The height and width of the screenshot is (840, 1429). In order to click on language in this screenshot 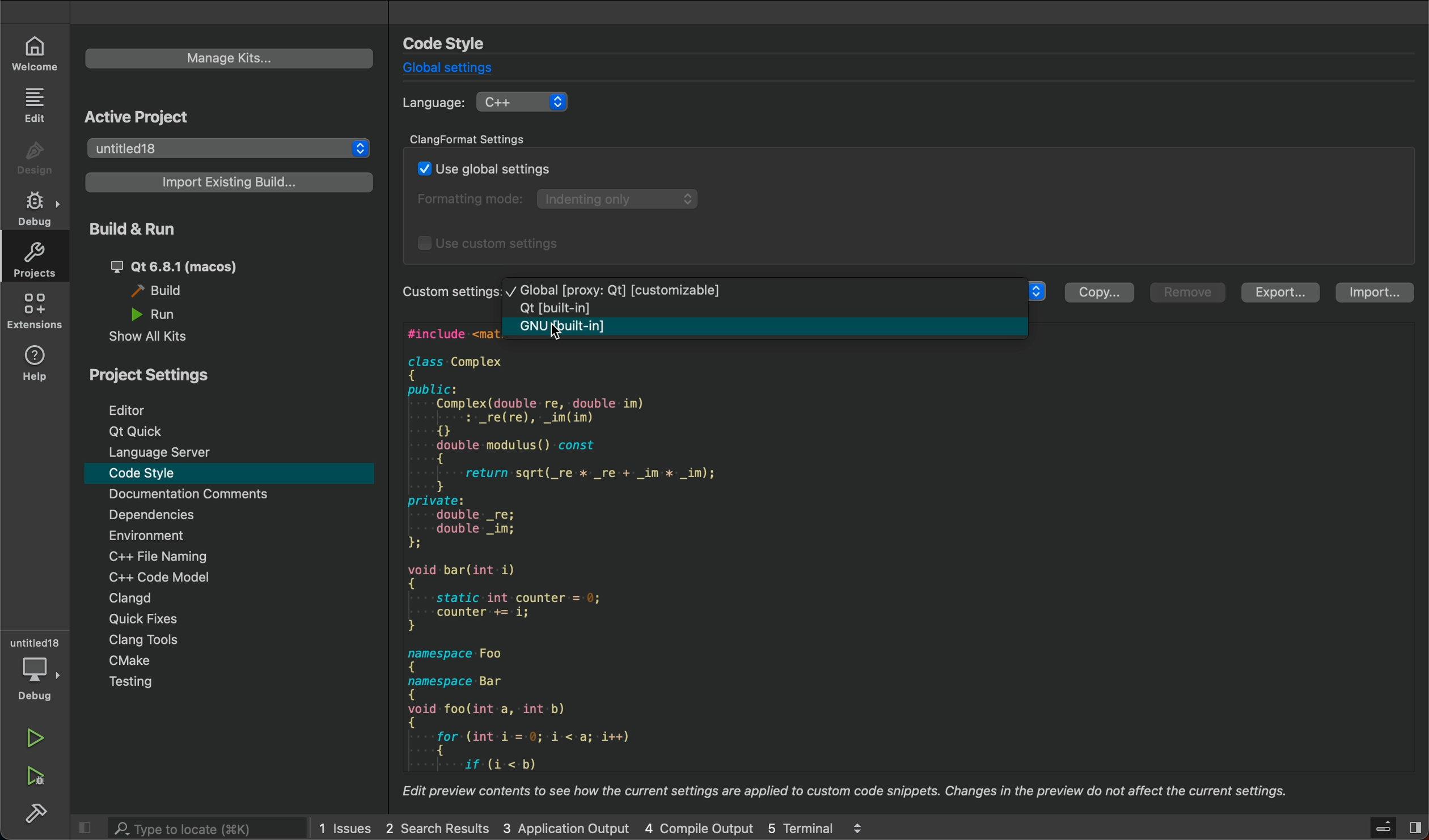, I will do `click(433, 103)`.